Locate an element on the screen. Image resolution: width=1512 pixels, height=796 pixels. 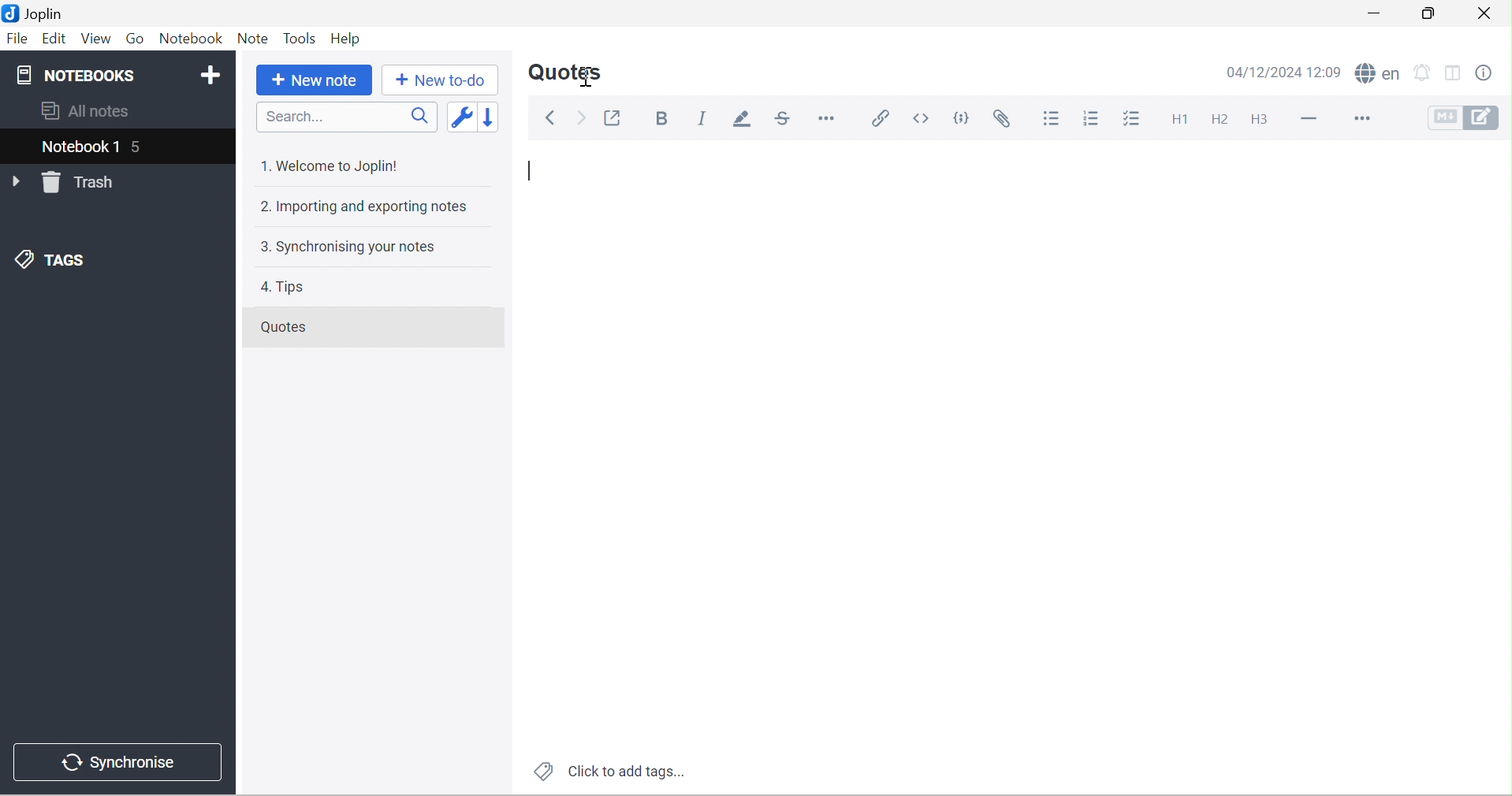
04/12/2024 12:09 is located at coordinates (1284, 72).